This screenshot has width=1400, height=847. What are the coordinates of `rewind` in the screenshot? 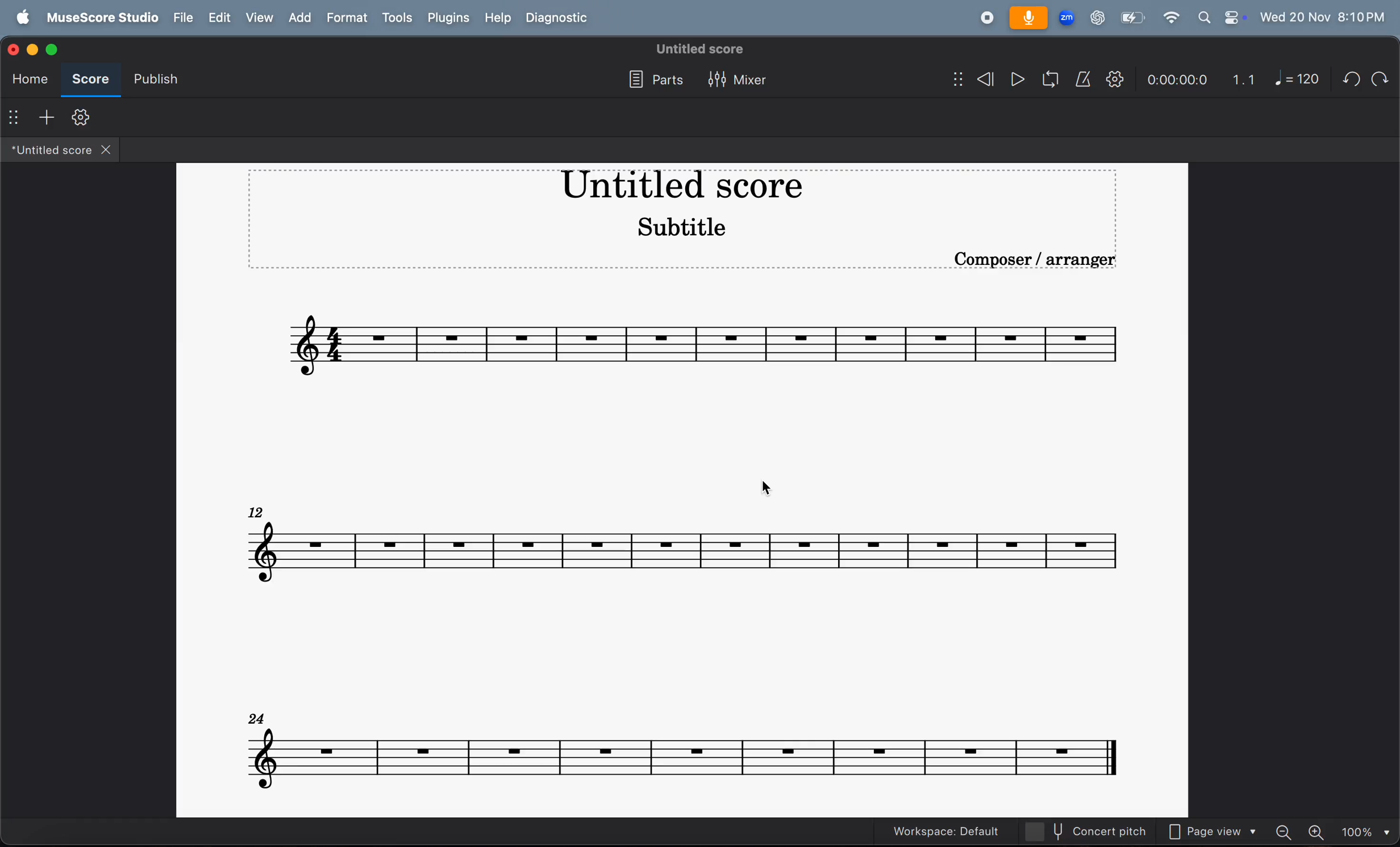 It's located at (983, 78).